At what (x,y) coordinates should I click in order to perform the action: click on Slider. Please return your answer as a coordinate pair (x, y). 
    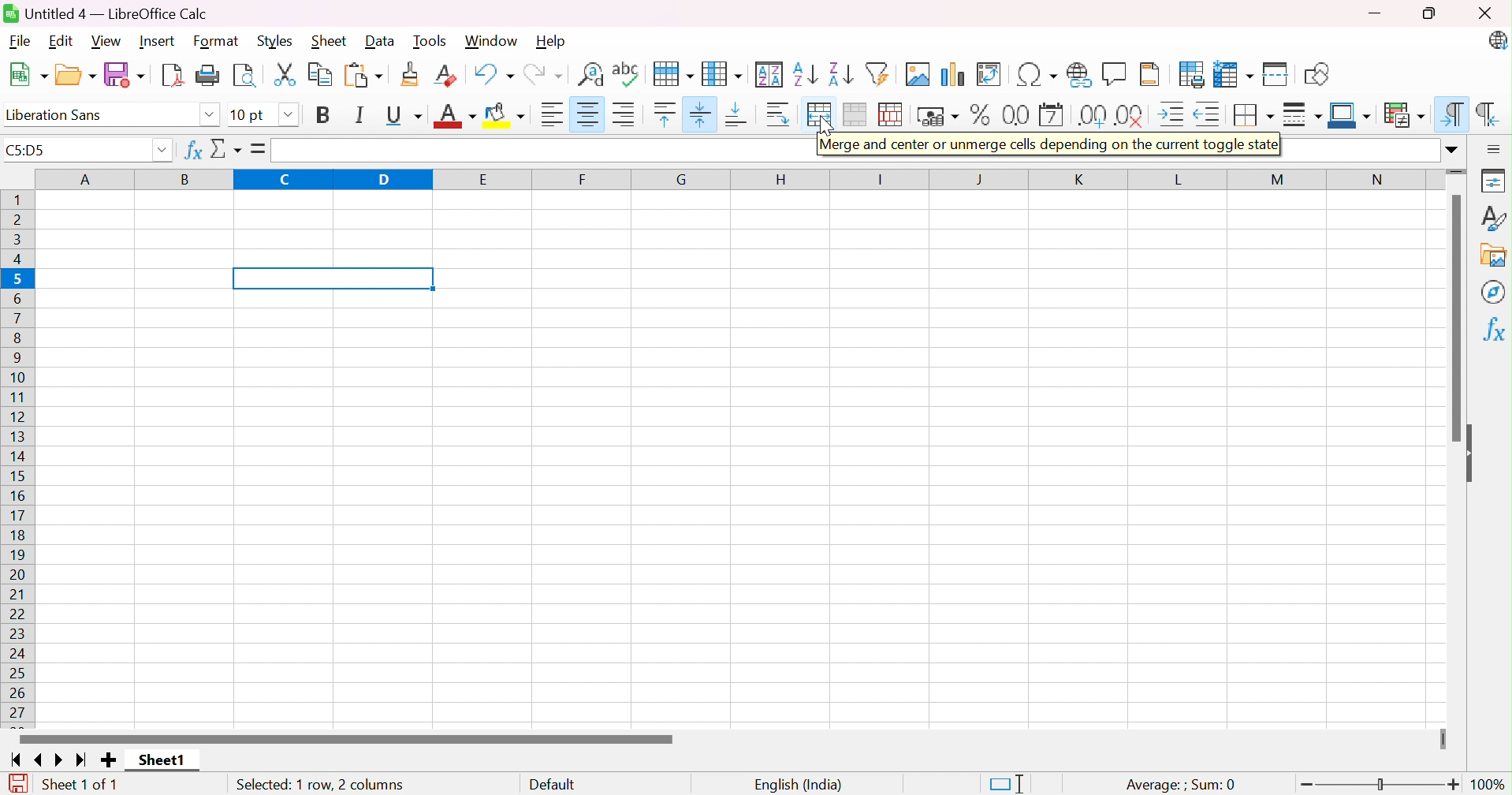
    Looking at the image, I should click on (1443, 740).